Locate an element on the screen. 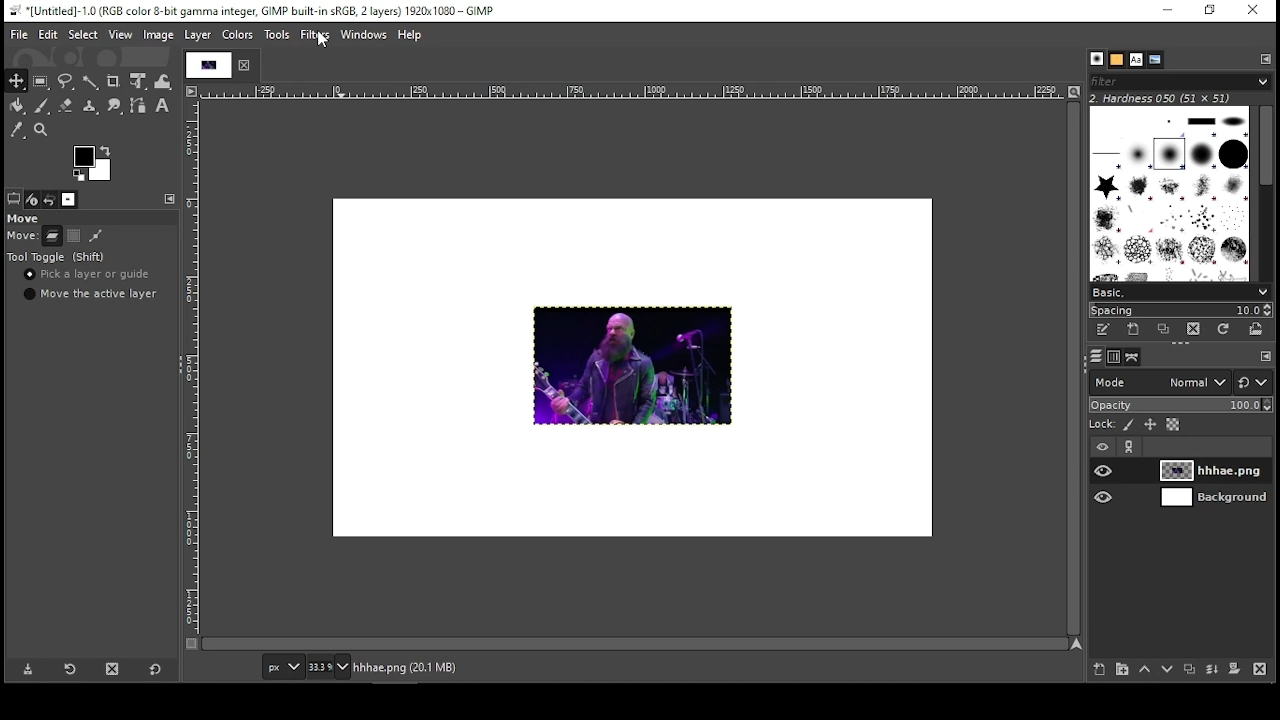  paths tool is located at coordinates (139, 108).